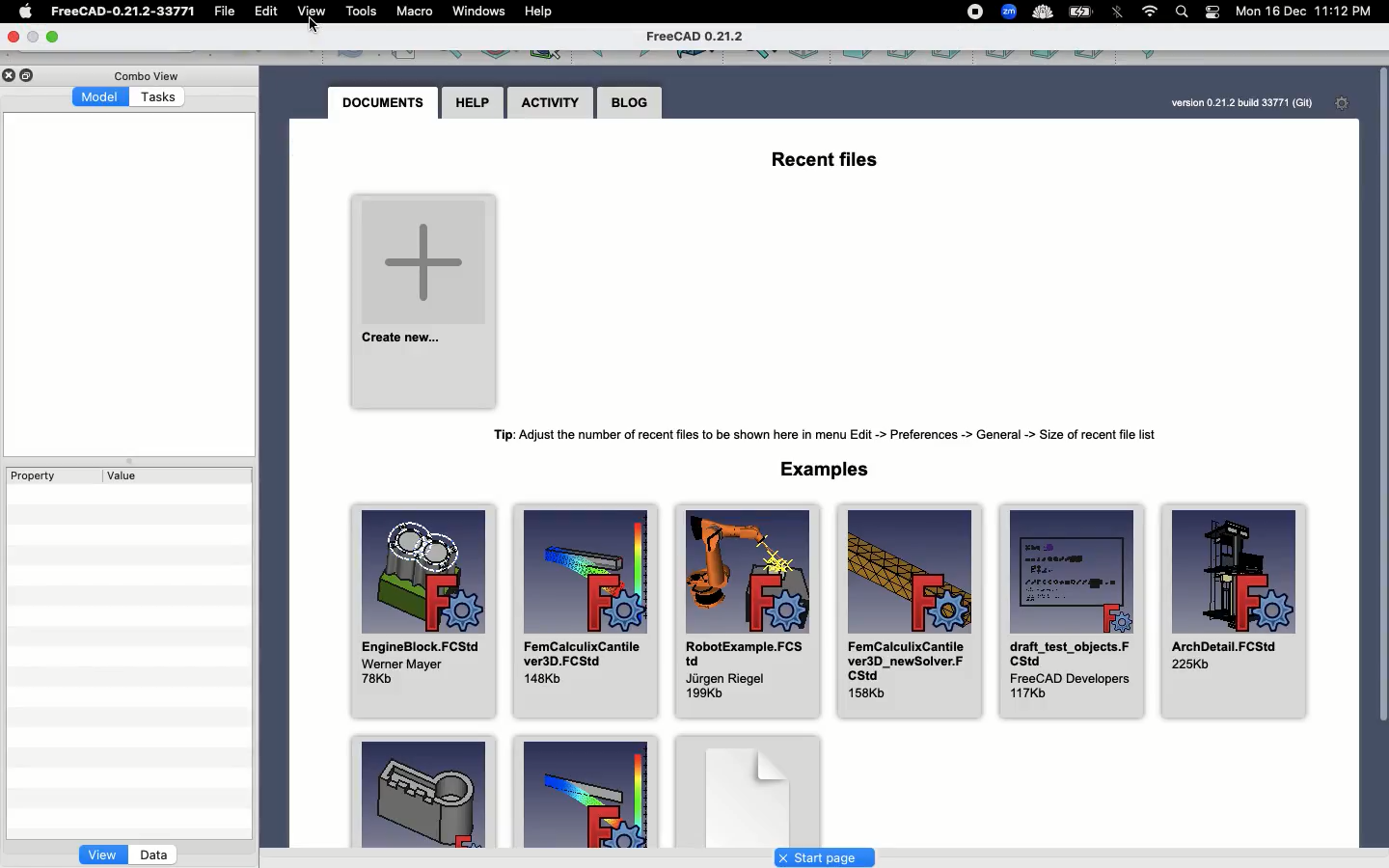 The width and height of the screenshot is (1389, 868). Describe the element at coordinates (101, 854) in the screenshot. I see `View` at that location.